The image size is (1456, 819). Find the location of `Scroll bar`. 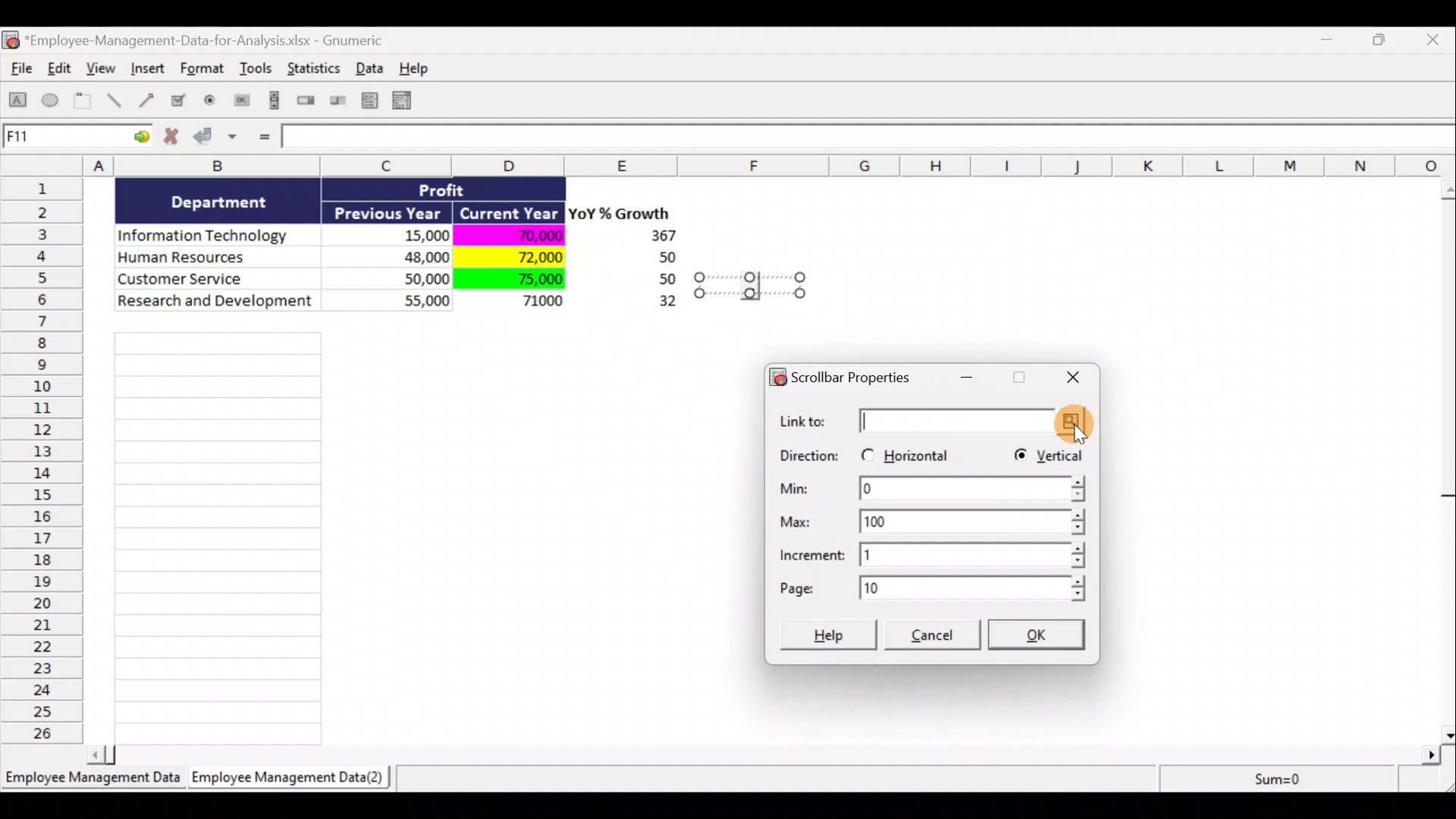

Scroll bar is located at coordinates (769, 752).